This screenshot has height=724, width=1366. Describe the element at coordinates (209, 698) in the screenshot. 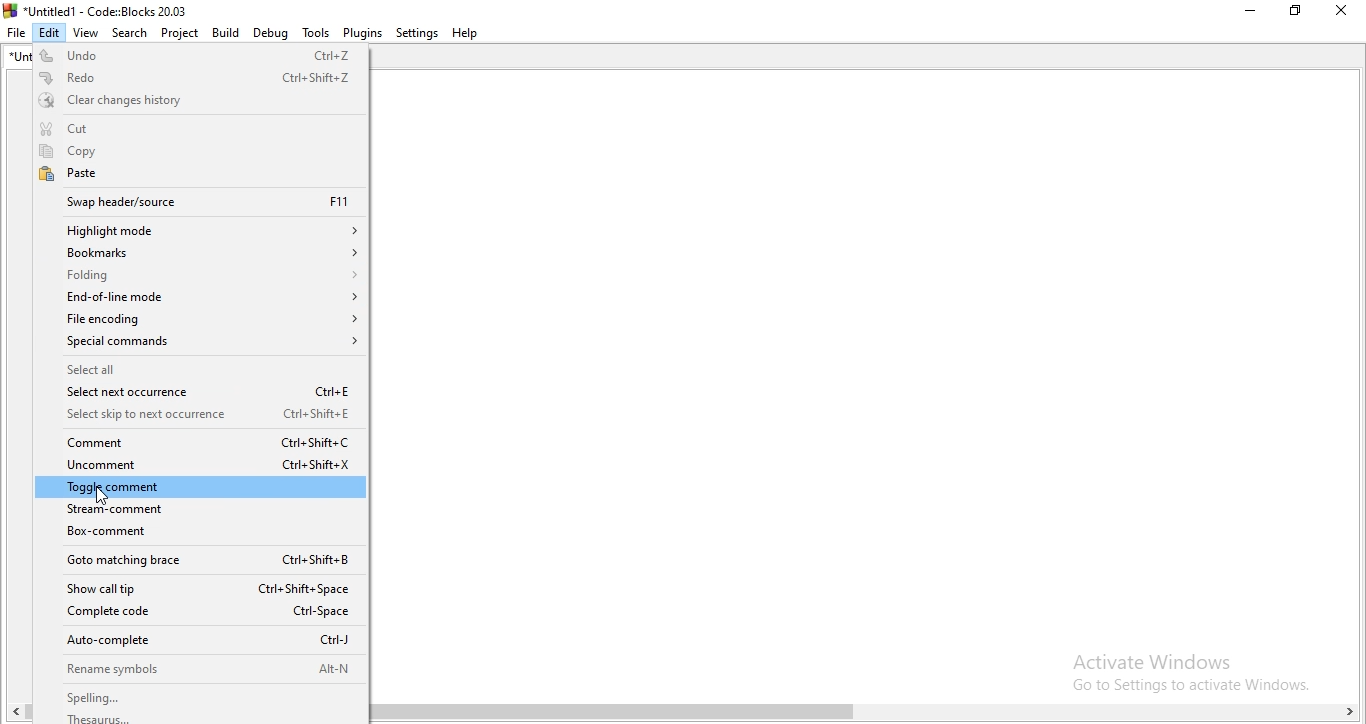

I see `spelling` at that location.